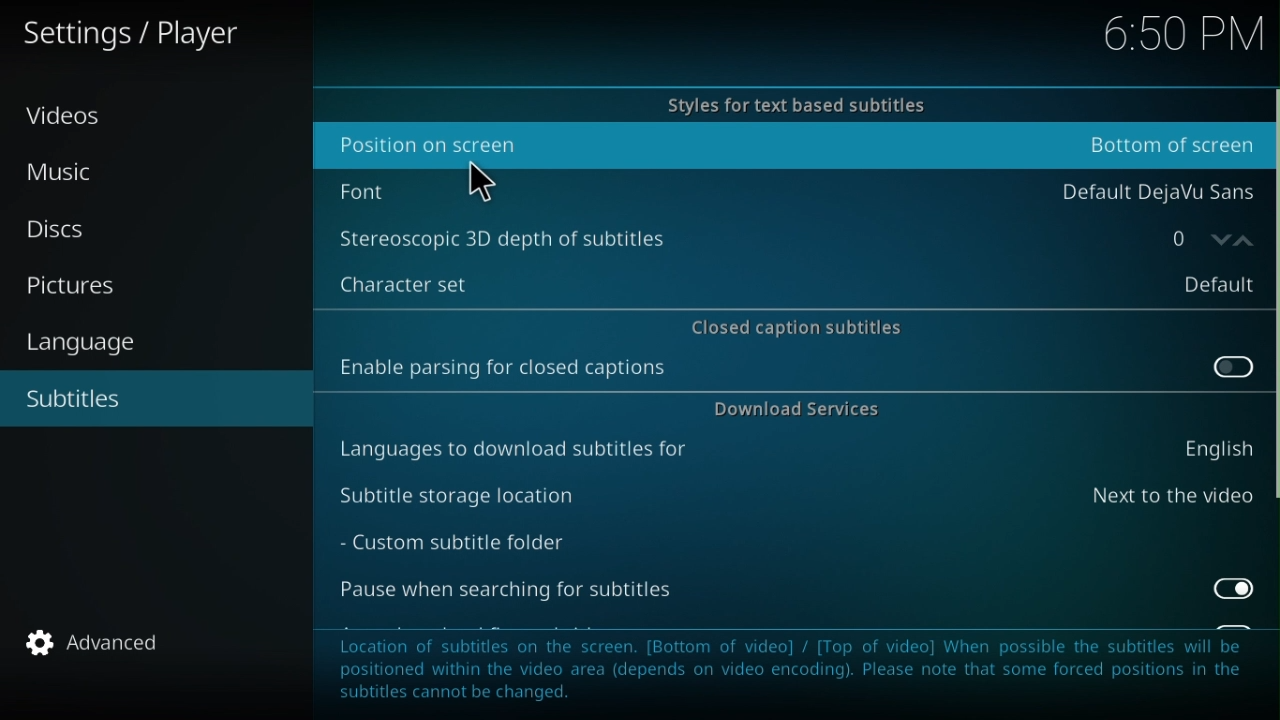 This screenshot has width=1280, height=720. What do you see at coordinates (794, 496) in the screenshot?
I see `Subtitle storage loaction` at bounding box center [794, 496].